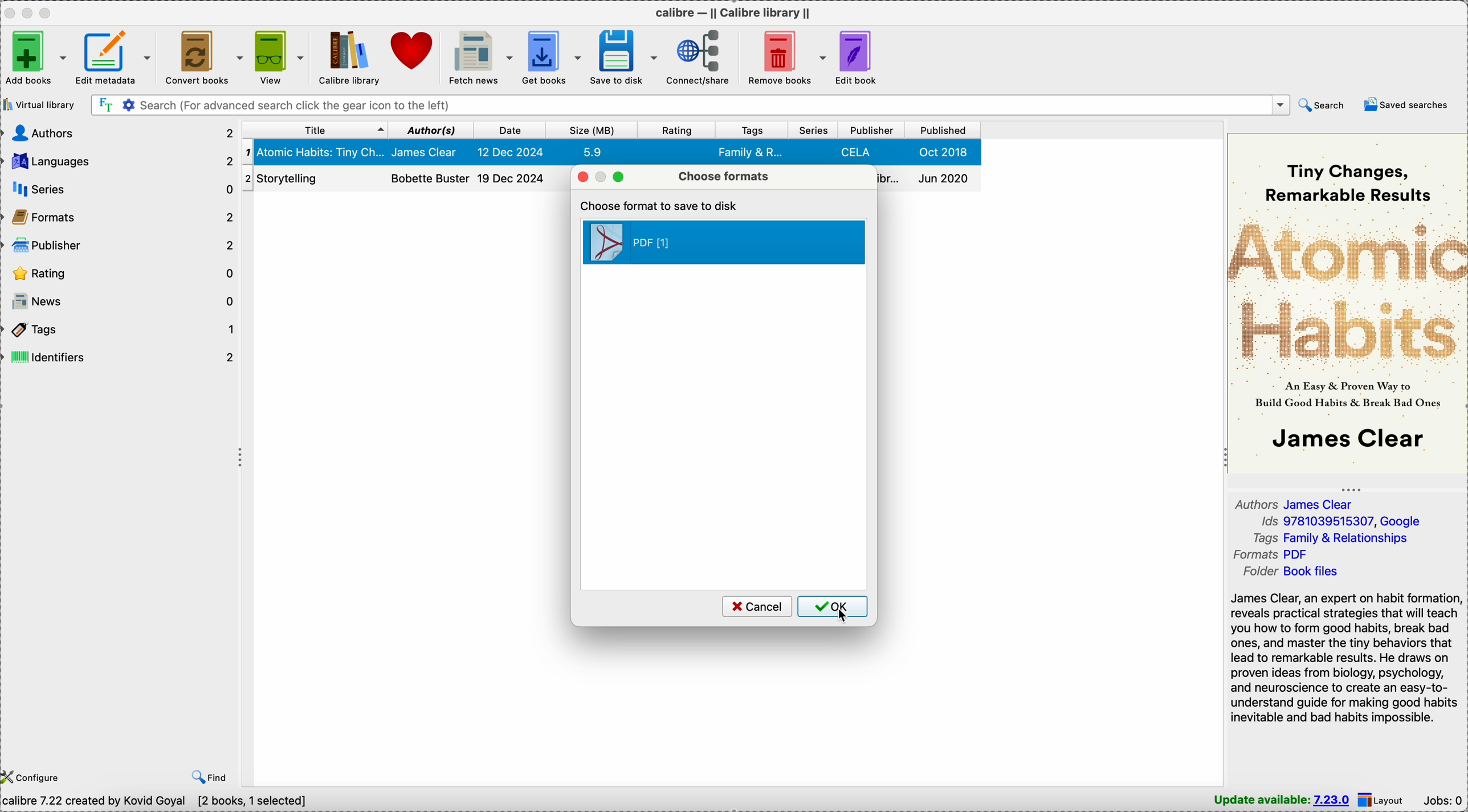 This screenshot has width=1468, height=812. What do you see at coordinates (9, 12) in the screenshot?
I see `close Calibre` at bounding box center [9, 12].